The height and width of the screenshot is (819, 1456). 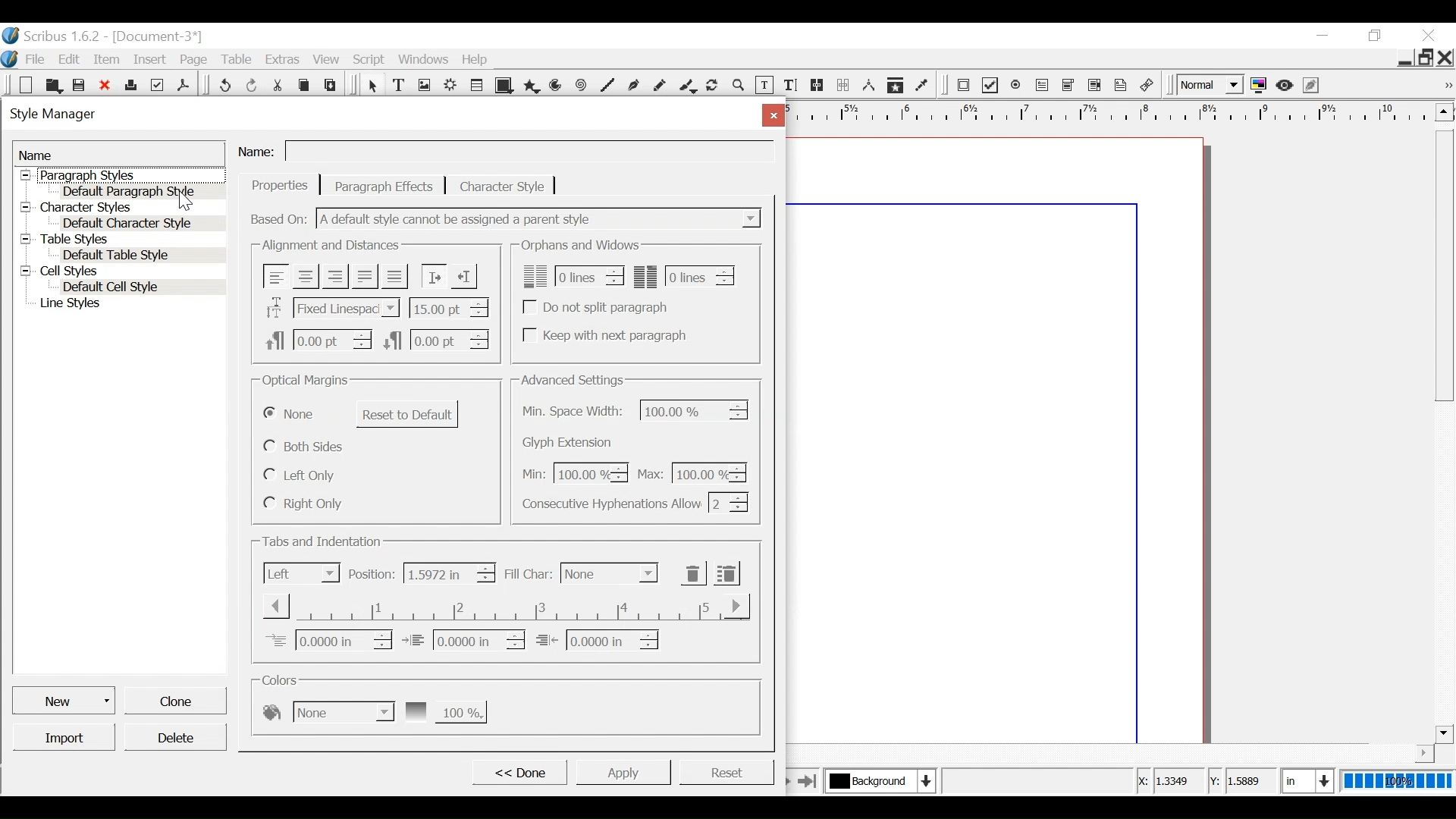 What do you see at coordinates (363, 276) in the screenshot?
I see `Align Justified` at bounding box center [363, 276].